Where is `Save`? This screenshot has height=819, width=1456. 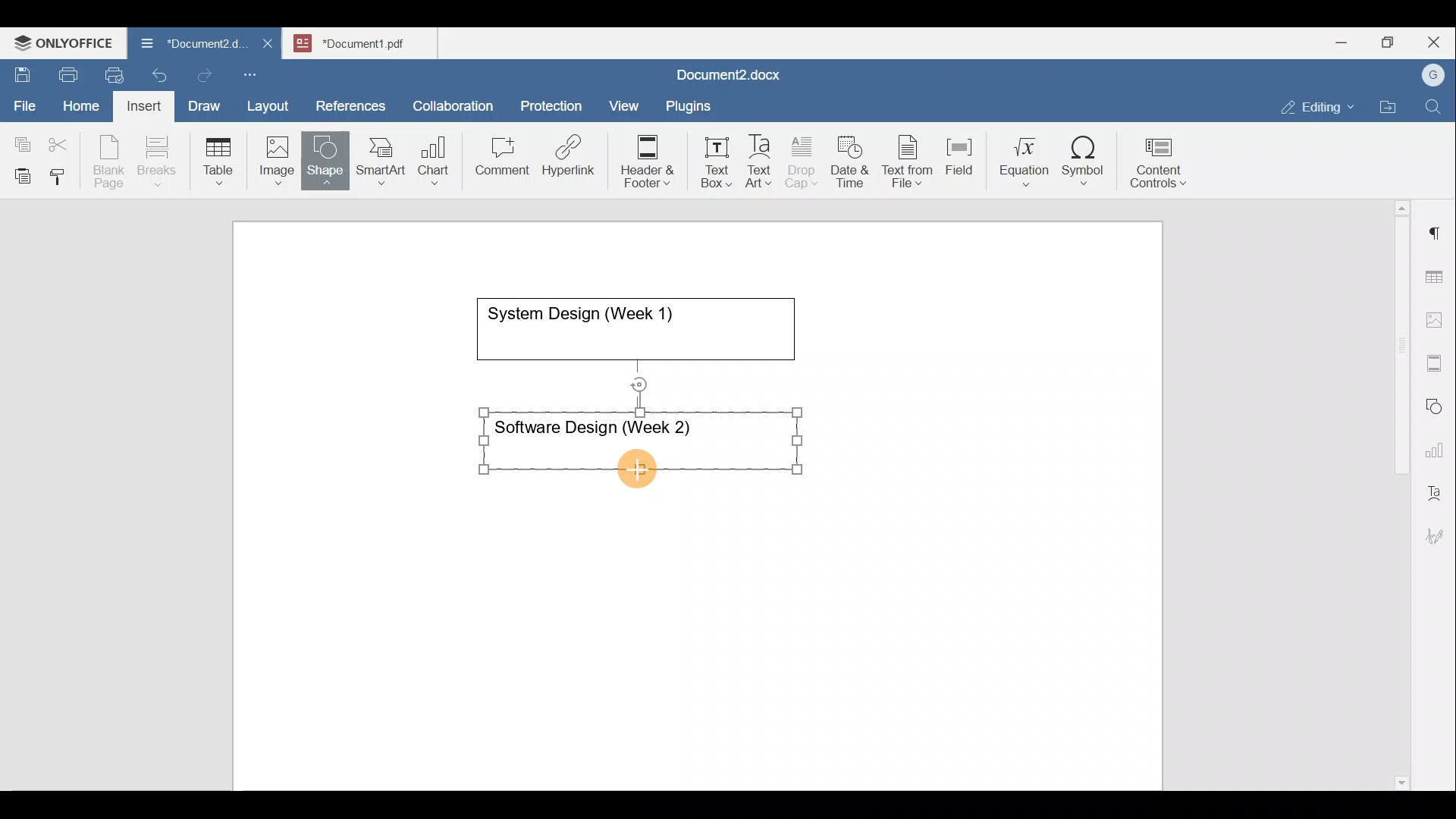 Save is located at coordinates (21, 71).